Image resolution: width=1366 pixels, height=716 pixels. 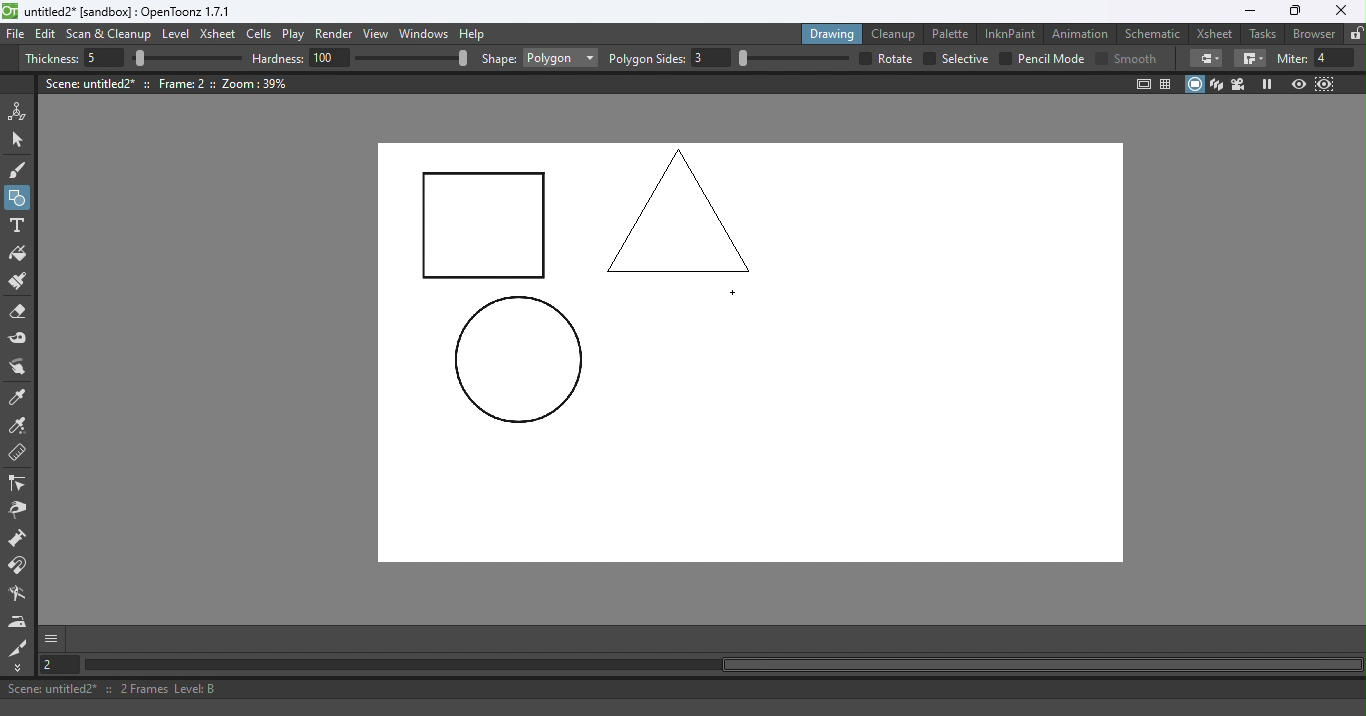 I want to click on Cleanup, so click(x=897, y=33).